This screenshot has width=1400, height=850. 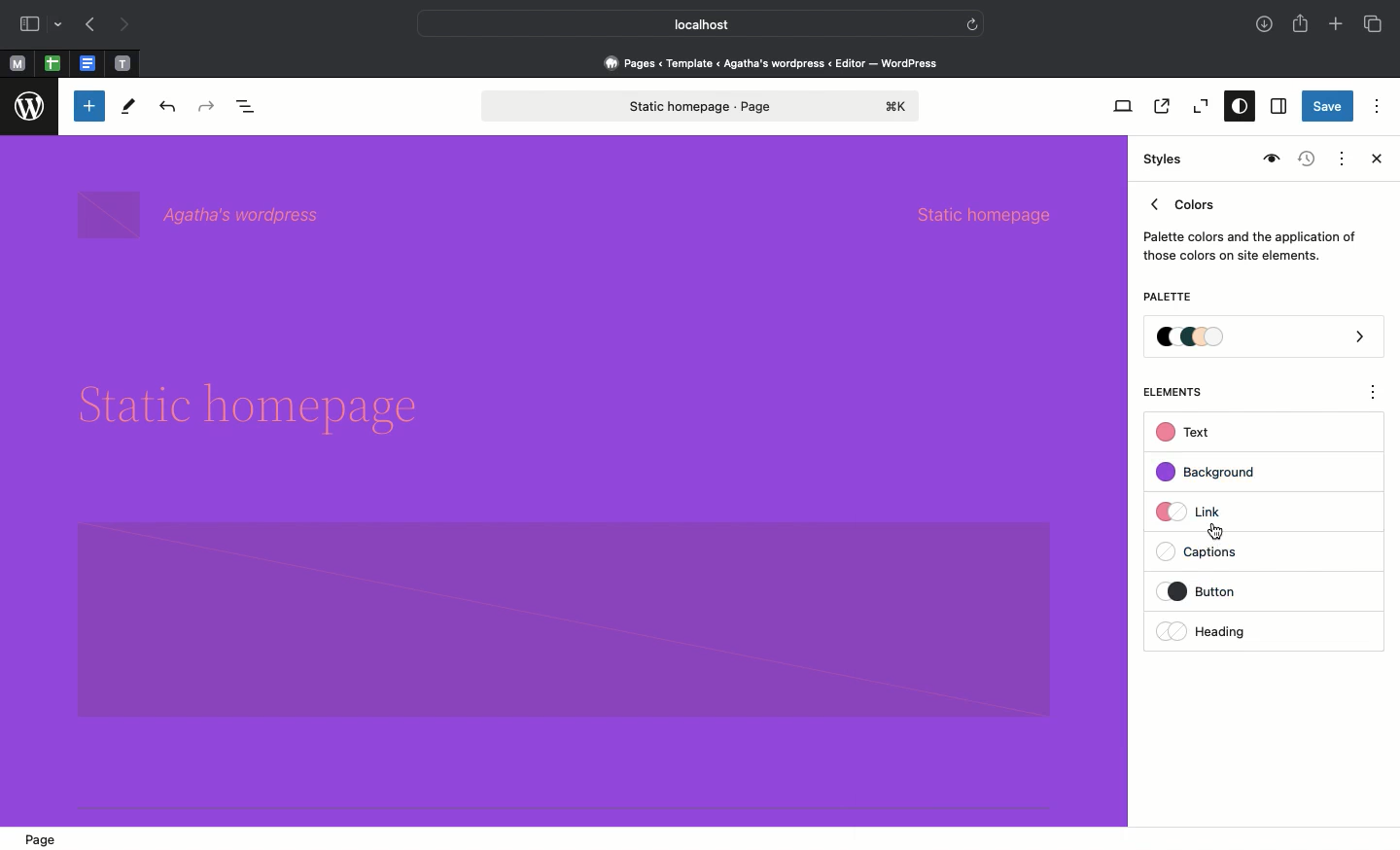 What do you see at coordinates (88, 26) in the screenshot?
I see `Previous page` at bounding box center [88, 26].